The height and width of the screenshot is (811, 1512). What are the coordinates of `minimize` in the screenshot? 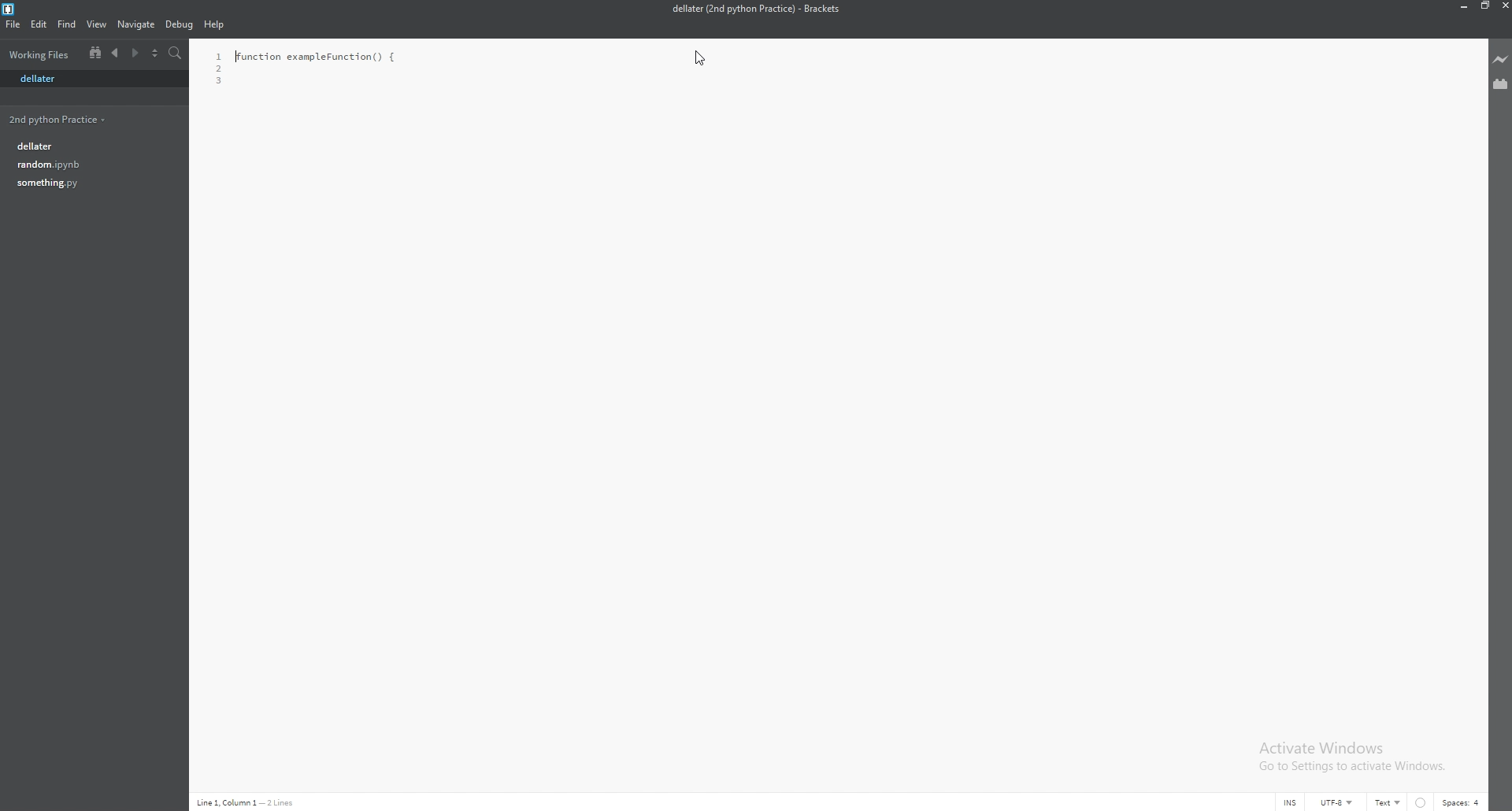 It's located at (1462, 6).